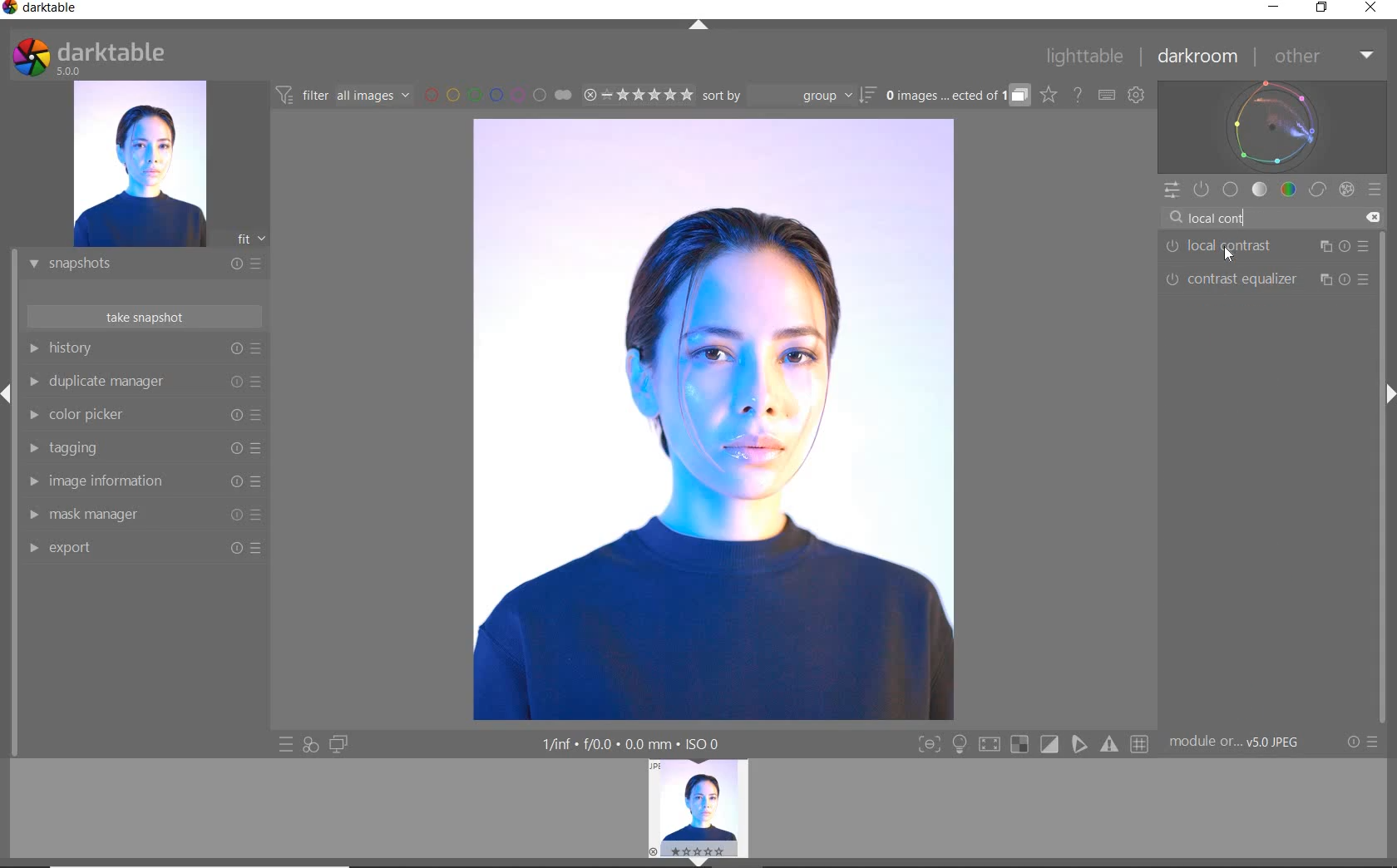 The height and width of the screenshot is (868, 1397). Describe the element at coordinates (43, 11) in the screenshot. I see `SYSTEM NAME` at that location.